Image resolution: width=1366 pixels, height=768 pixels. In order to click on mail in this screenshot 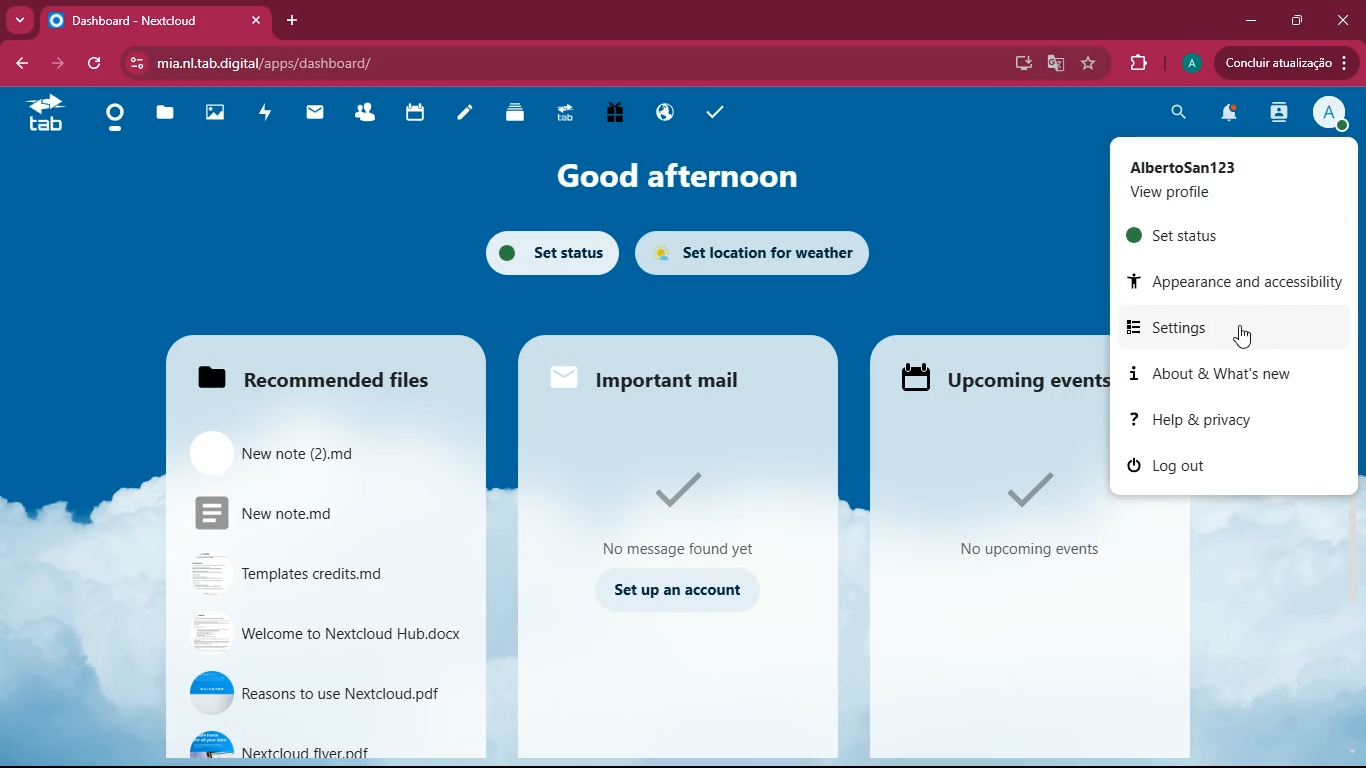, I will do `click(316, 114)`.